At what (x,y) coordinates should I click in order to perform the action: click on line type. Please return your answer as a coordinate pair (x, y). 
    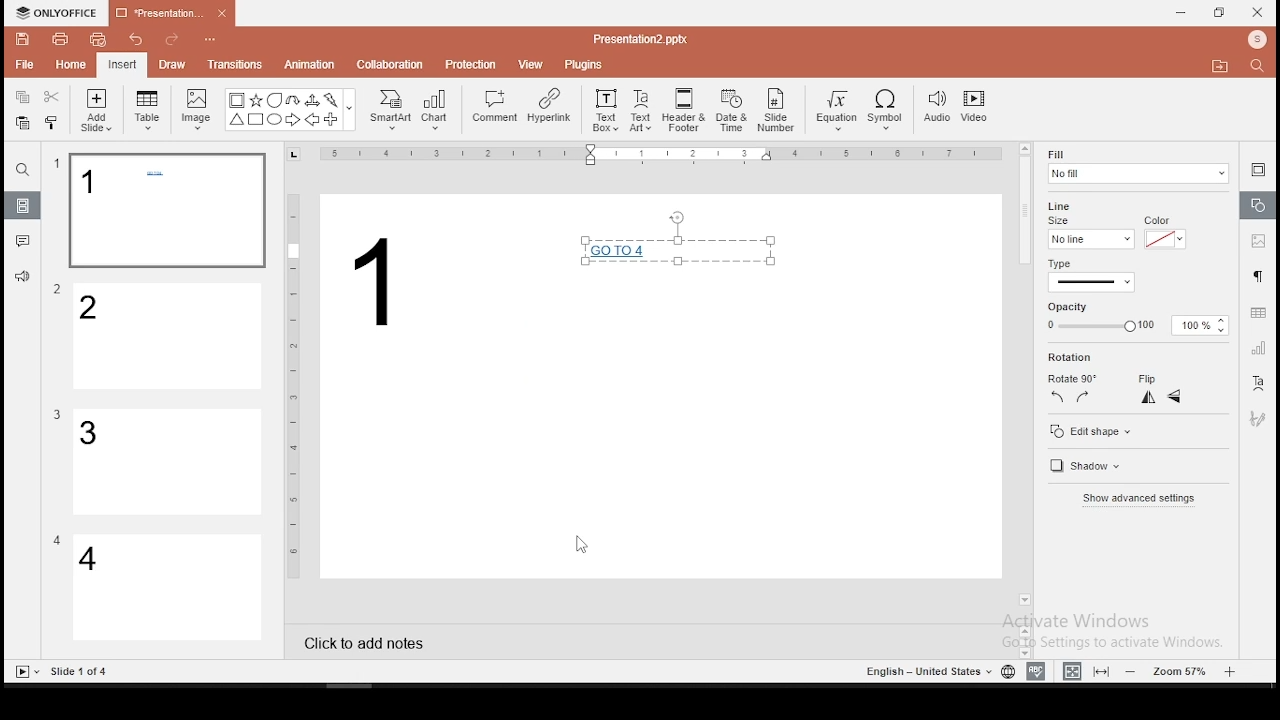
    Looking at the image, I should click on (1090, 276).